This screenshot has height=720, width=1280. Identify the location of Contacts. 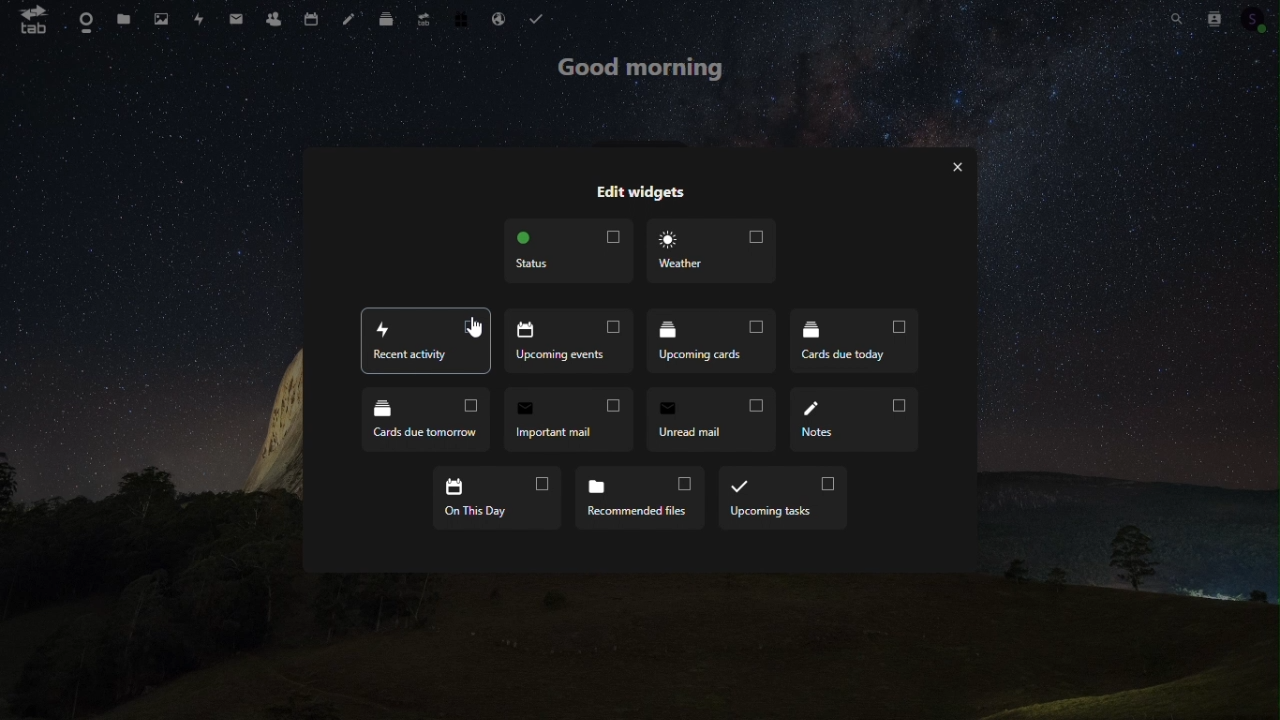
(1215, 17).